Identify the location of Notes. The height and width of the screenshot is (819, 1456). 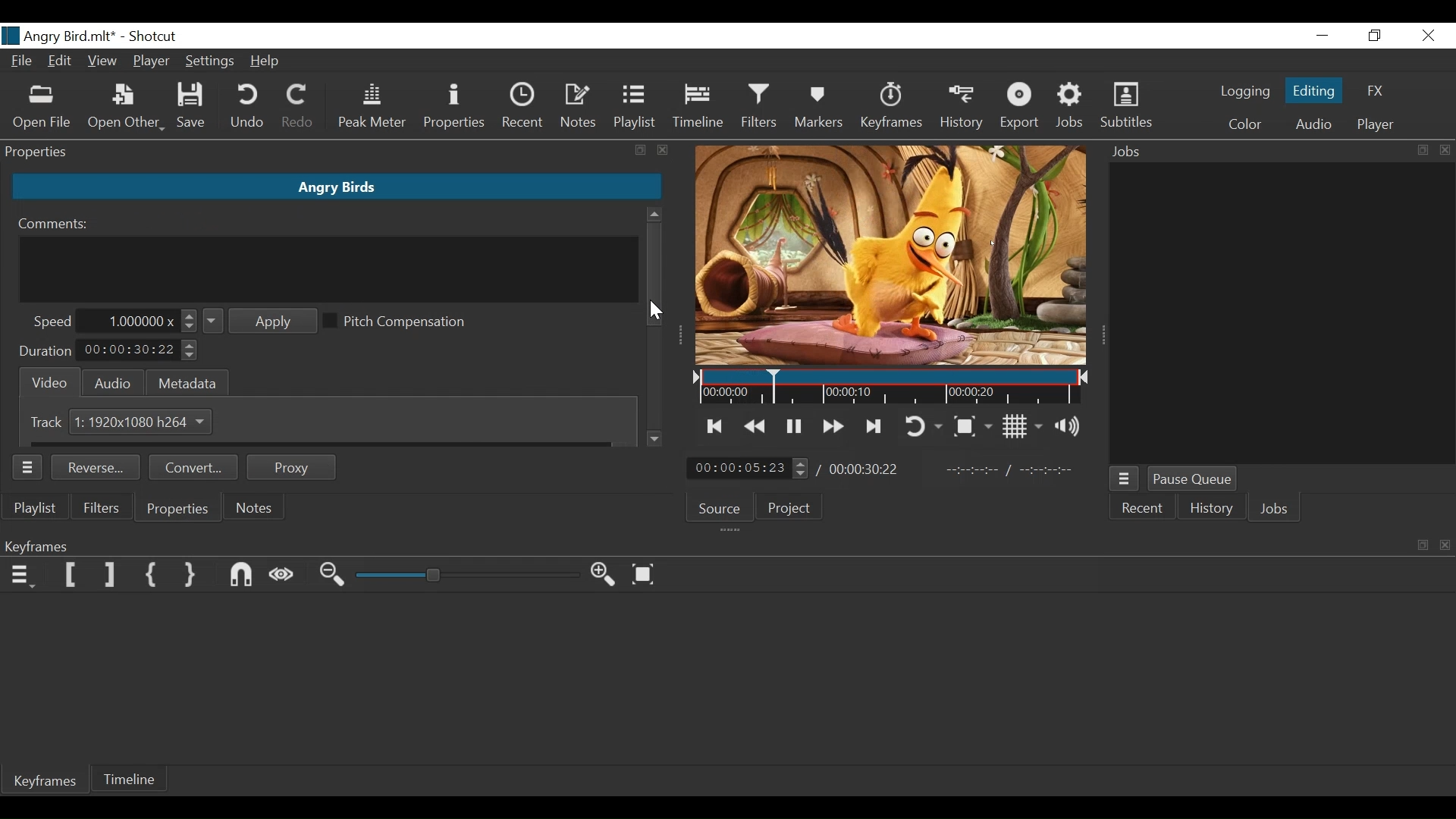
(251, 507).